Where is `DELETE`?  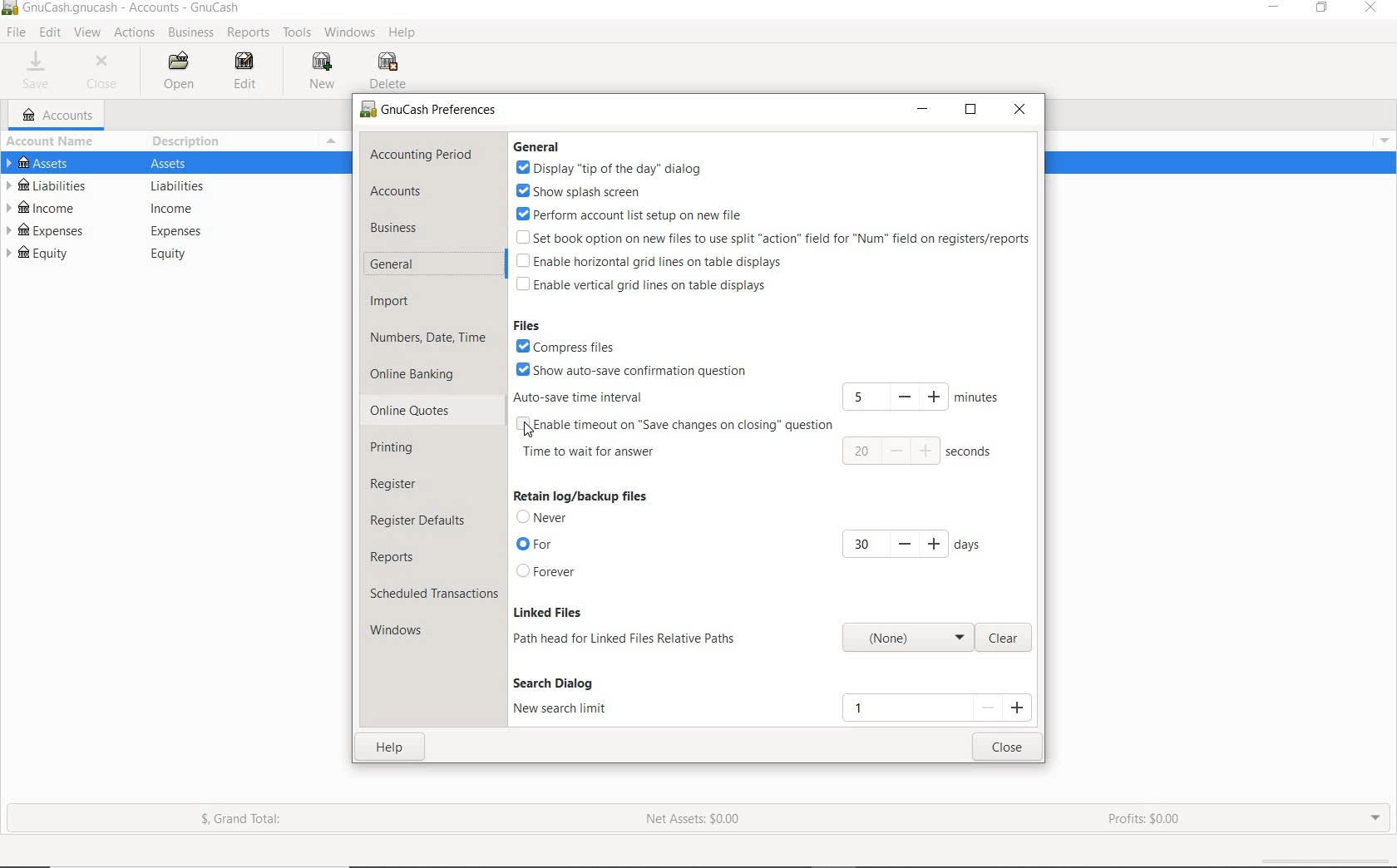
DELETE is located at coordinates (388, 71).